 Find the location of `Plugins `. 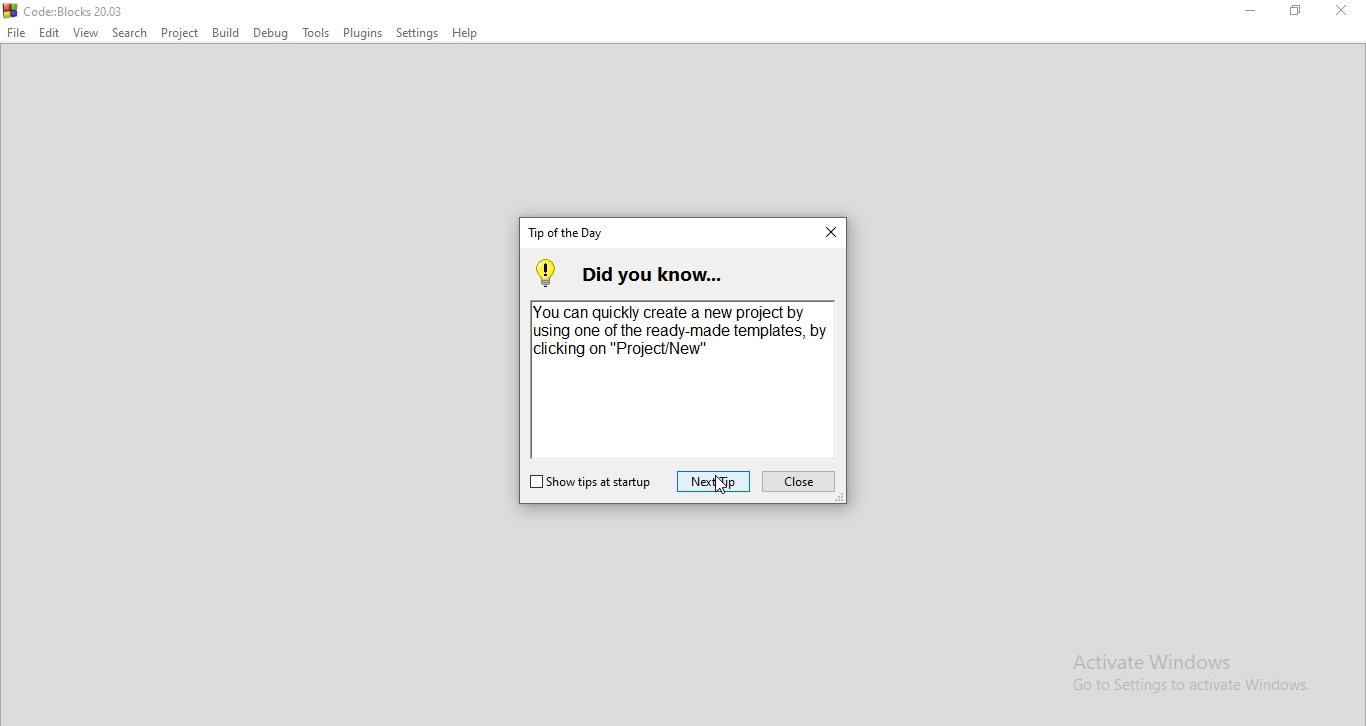

Plugins  is located at coordinates (362, 35).